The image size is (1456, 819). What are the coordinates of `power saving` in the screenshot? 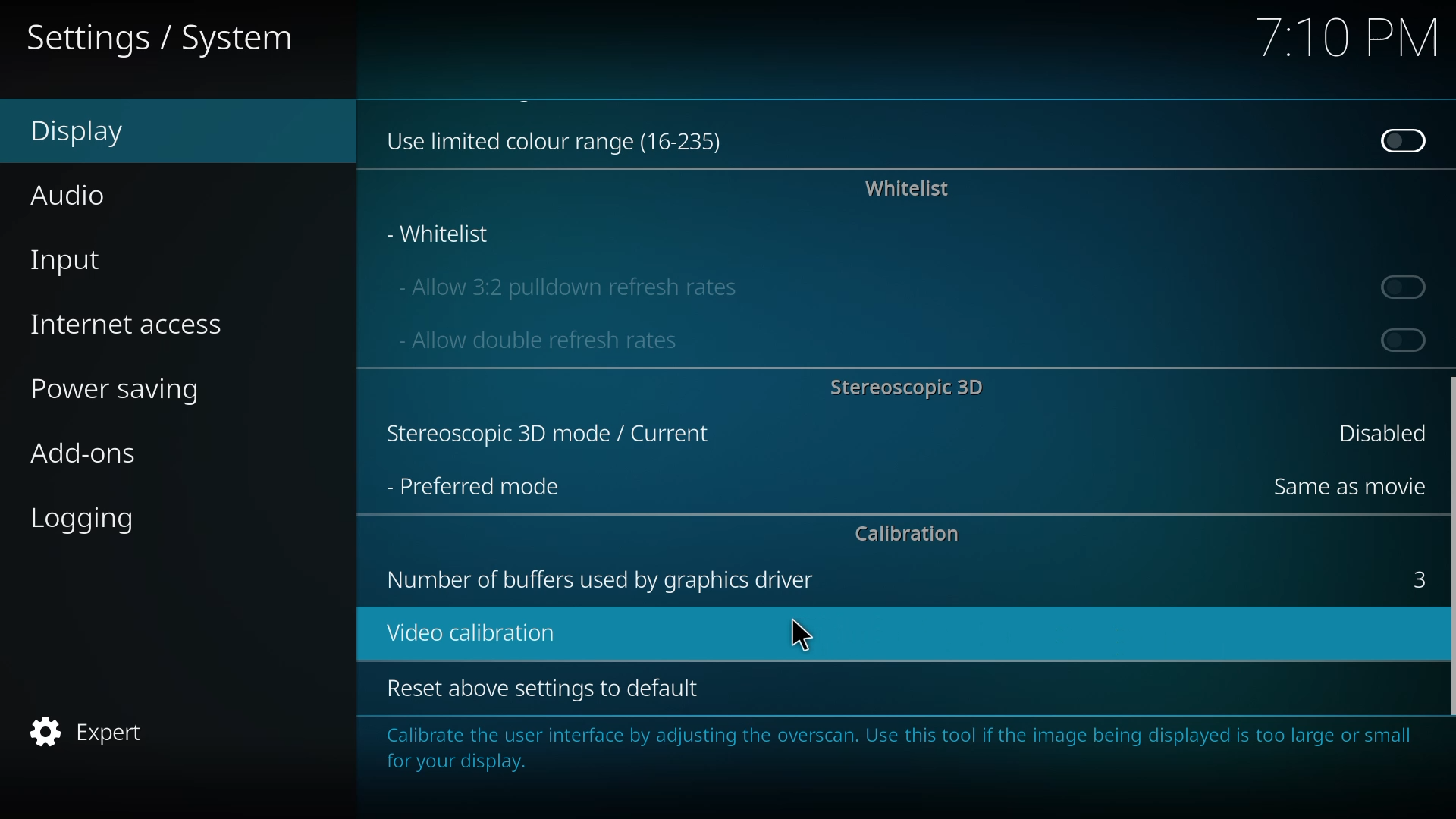 It's located at (126, 391).